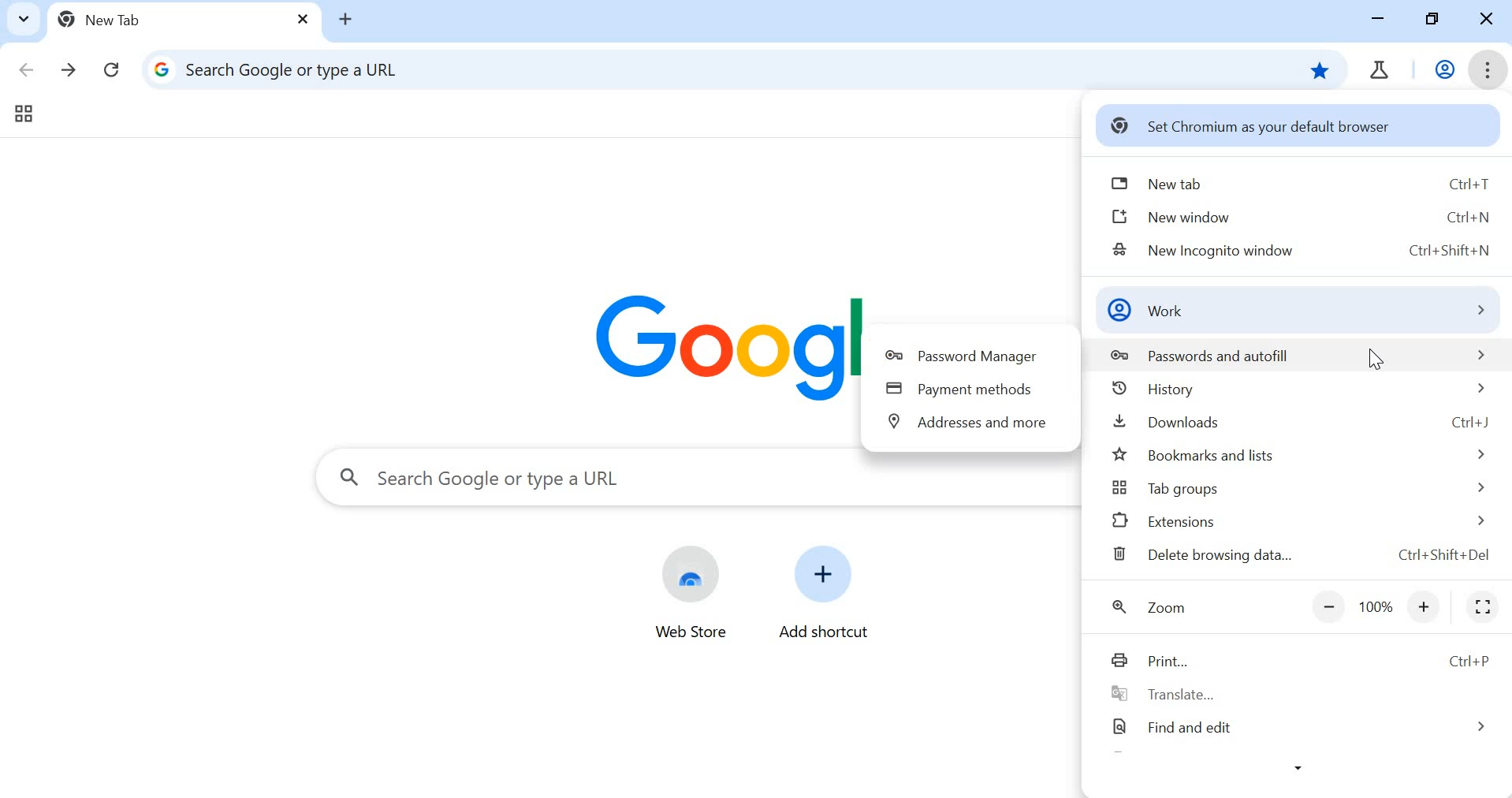 The image size is (1512, 798). What do you see at coordinates (1483, 606) in the screenshot?
I see `full screen` at bounding box center [1483, 606].